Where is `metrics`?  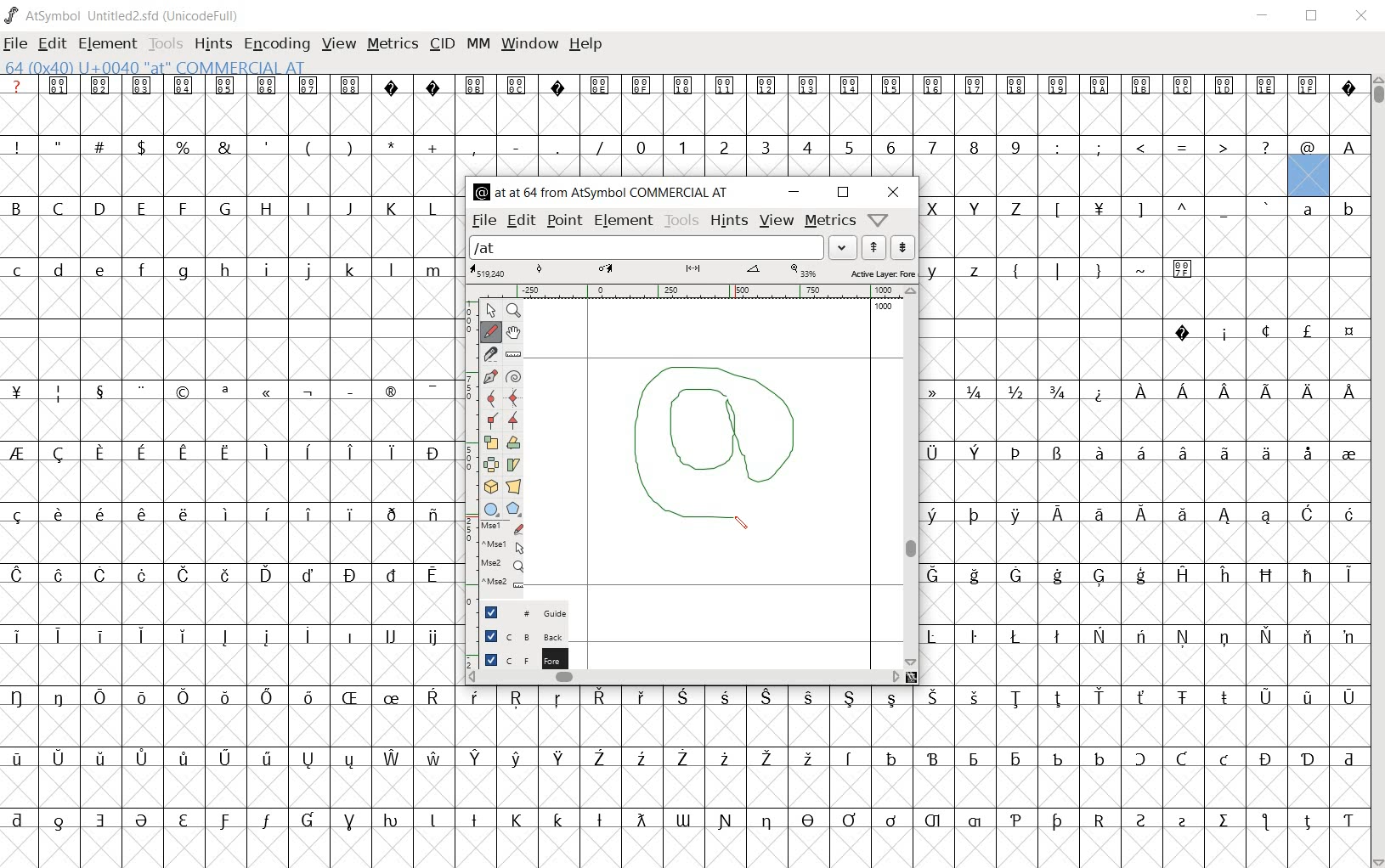 metrics is located at coordinates (829, 222).